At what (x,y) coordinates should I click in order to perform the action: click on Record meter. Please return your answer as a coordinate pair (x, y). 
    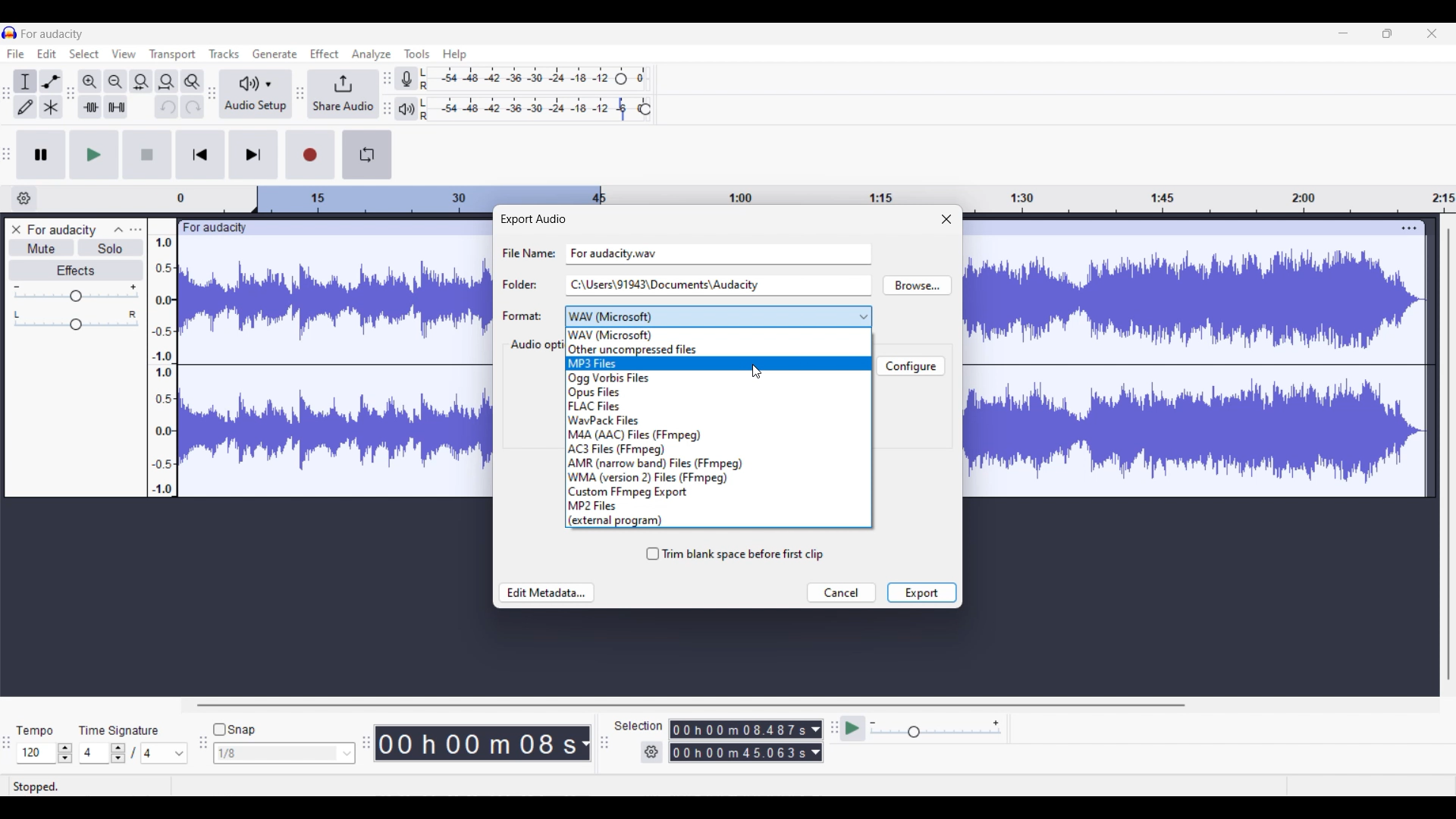
    Looking at the image, I should click on (407, 79).